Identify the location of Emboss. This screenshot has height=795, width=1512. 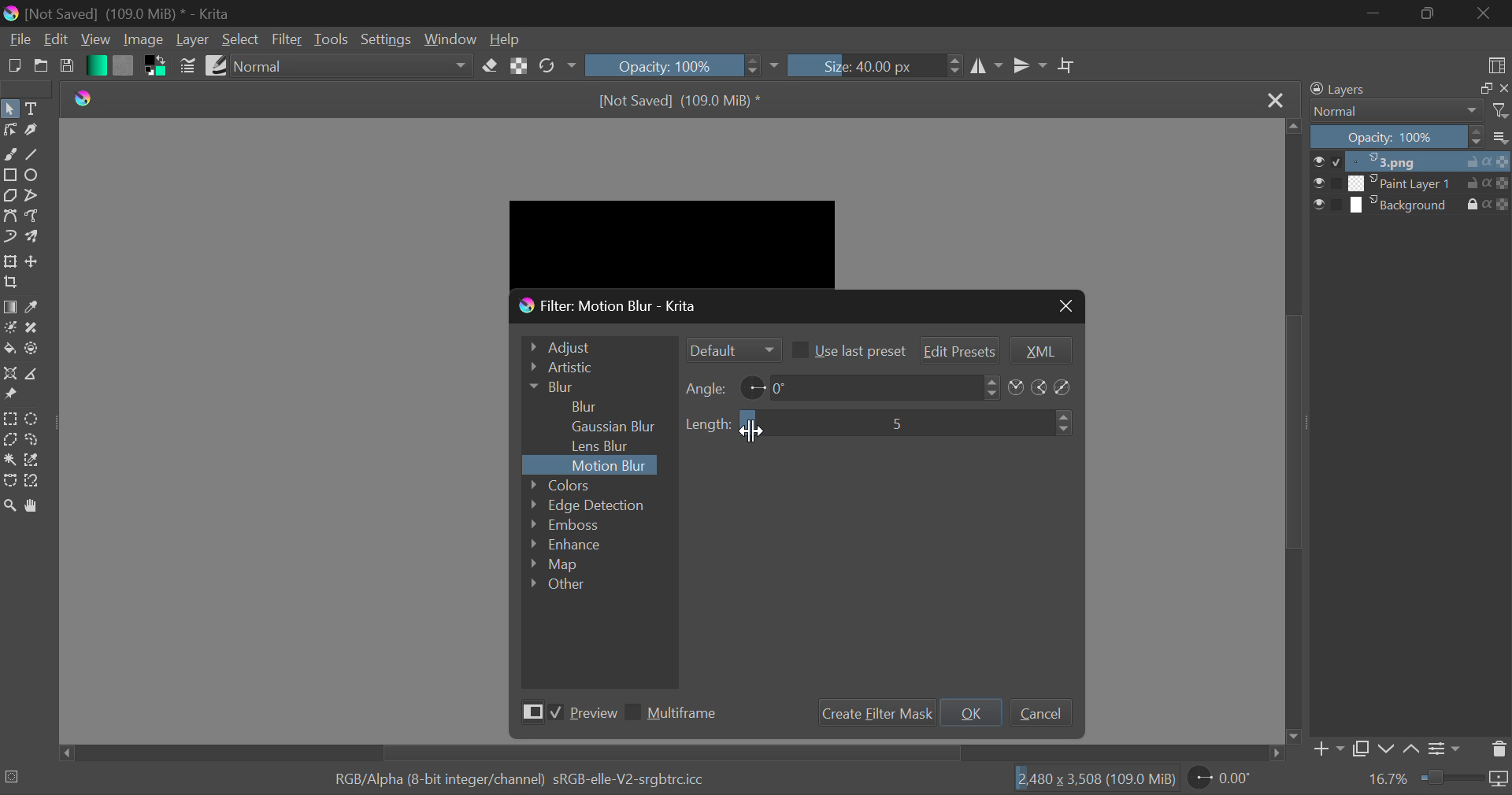
(563, 524).